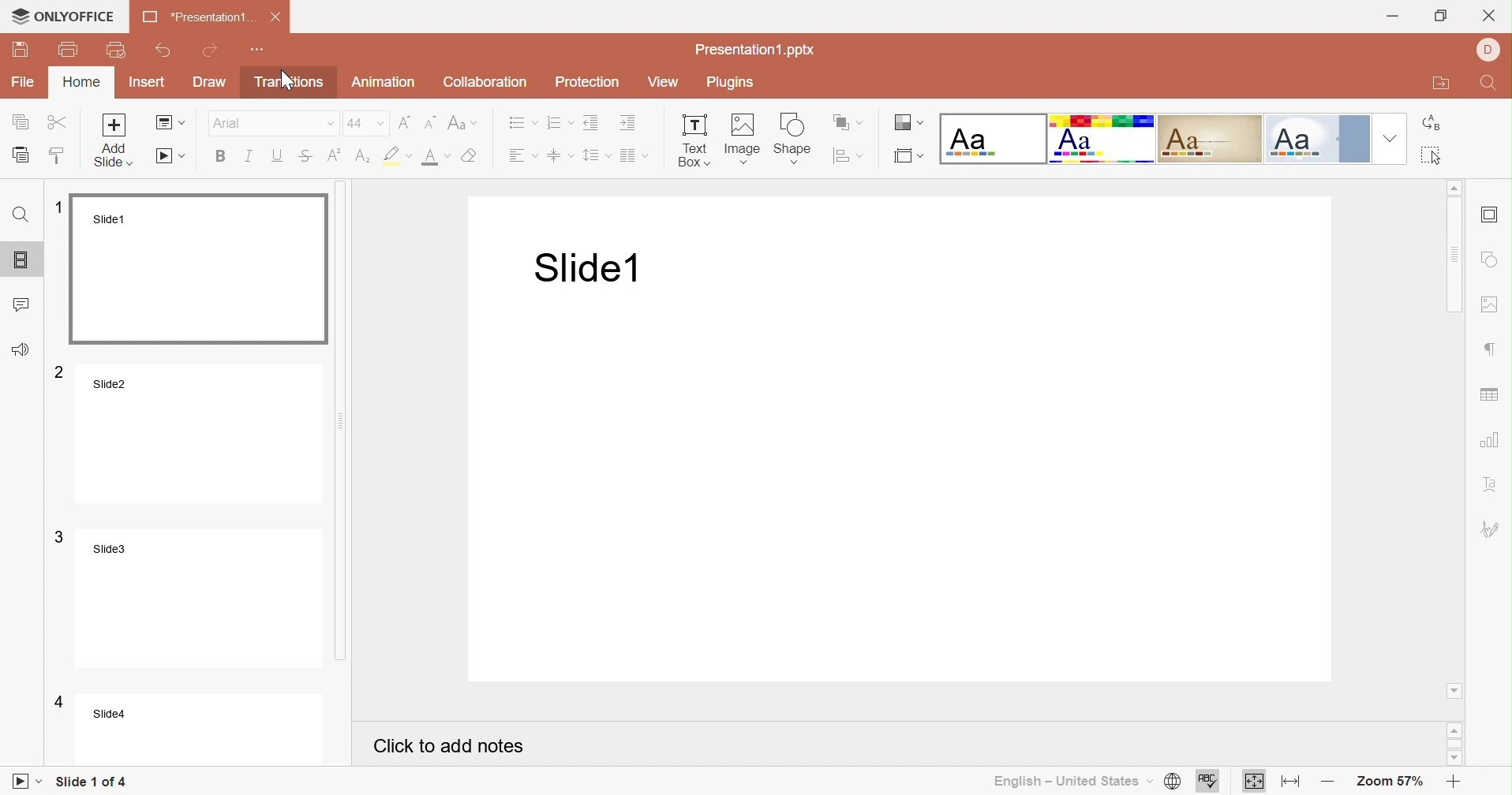  Describe the element at coordinates (1458, 255) in the screenshot. I see `Scroll bar` at that location.